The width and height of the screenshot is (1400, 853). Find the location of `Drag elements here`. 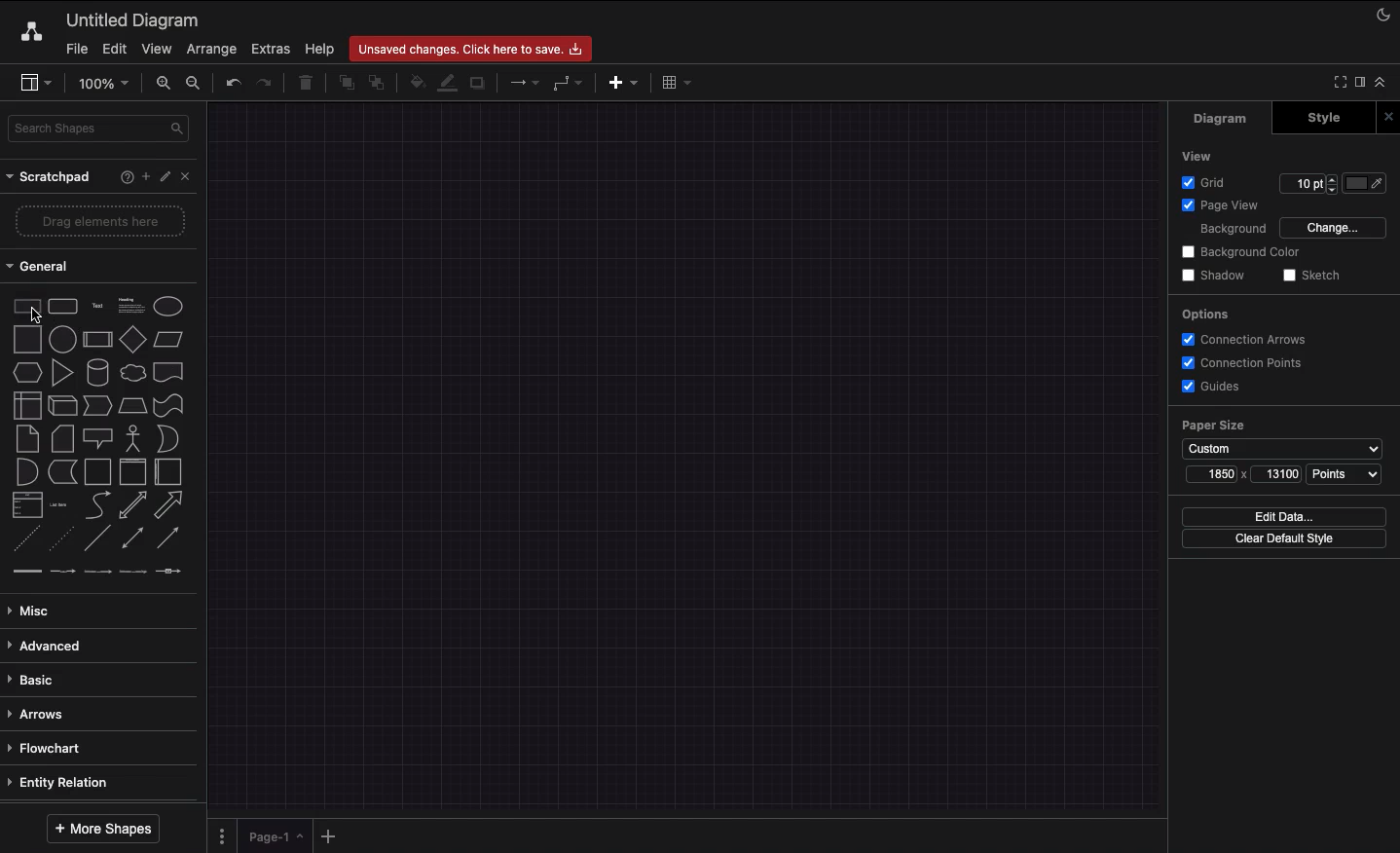

Drag elements here is located at coordinates (98, 220).